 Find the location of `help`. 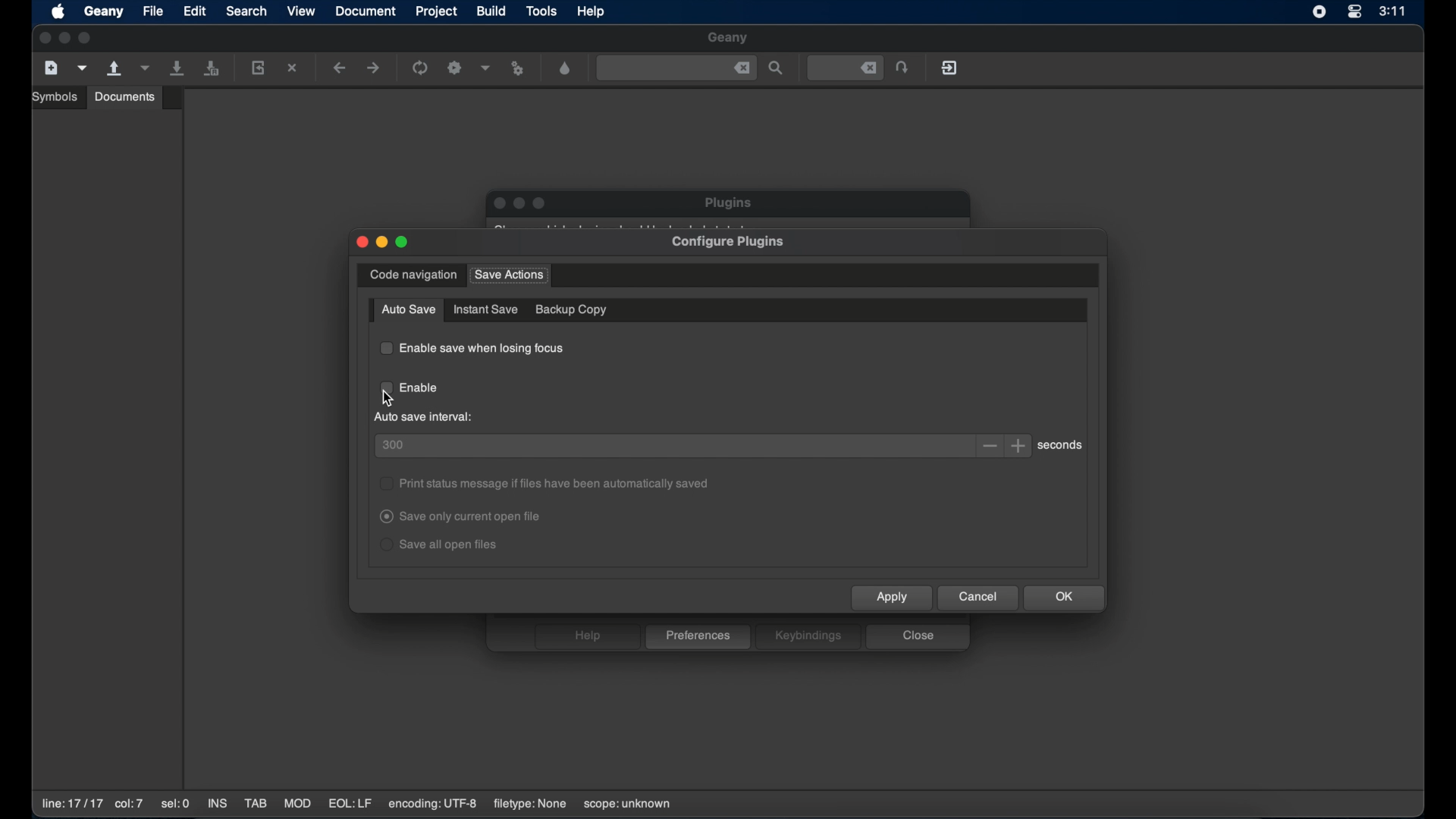

help is located at coordinates (586, 636).